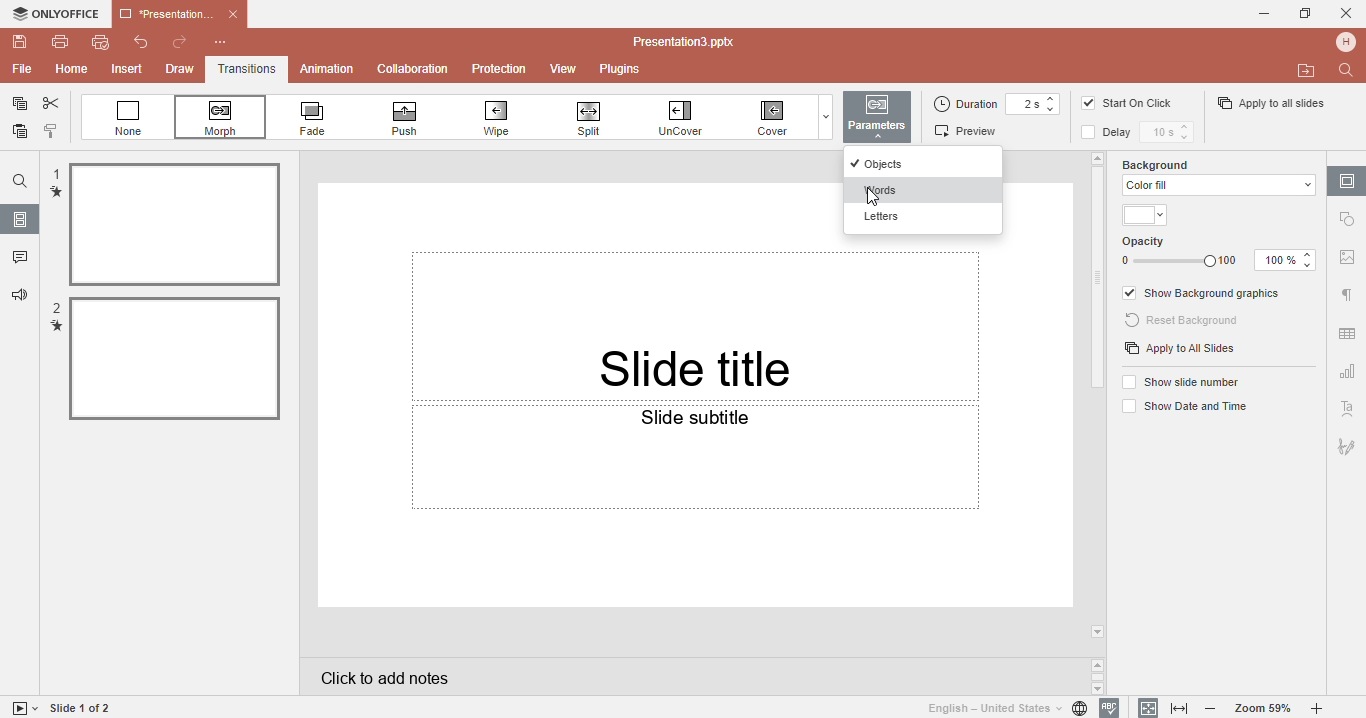 The image size is (1366, 718). Describe the element at coordinates (1185, 321) in the screenshot. I see `Reset background` at that location.